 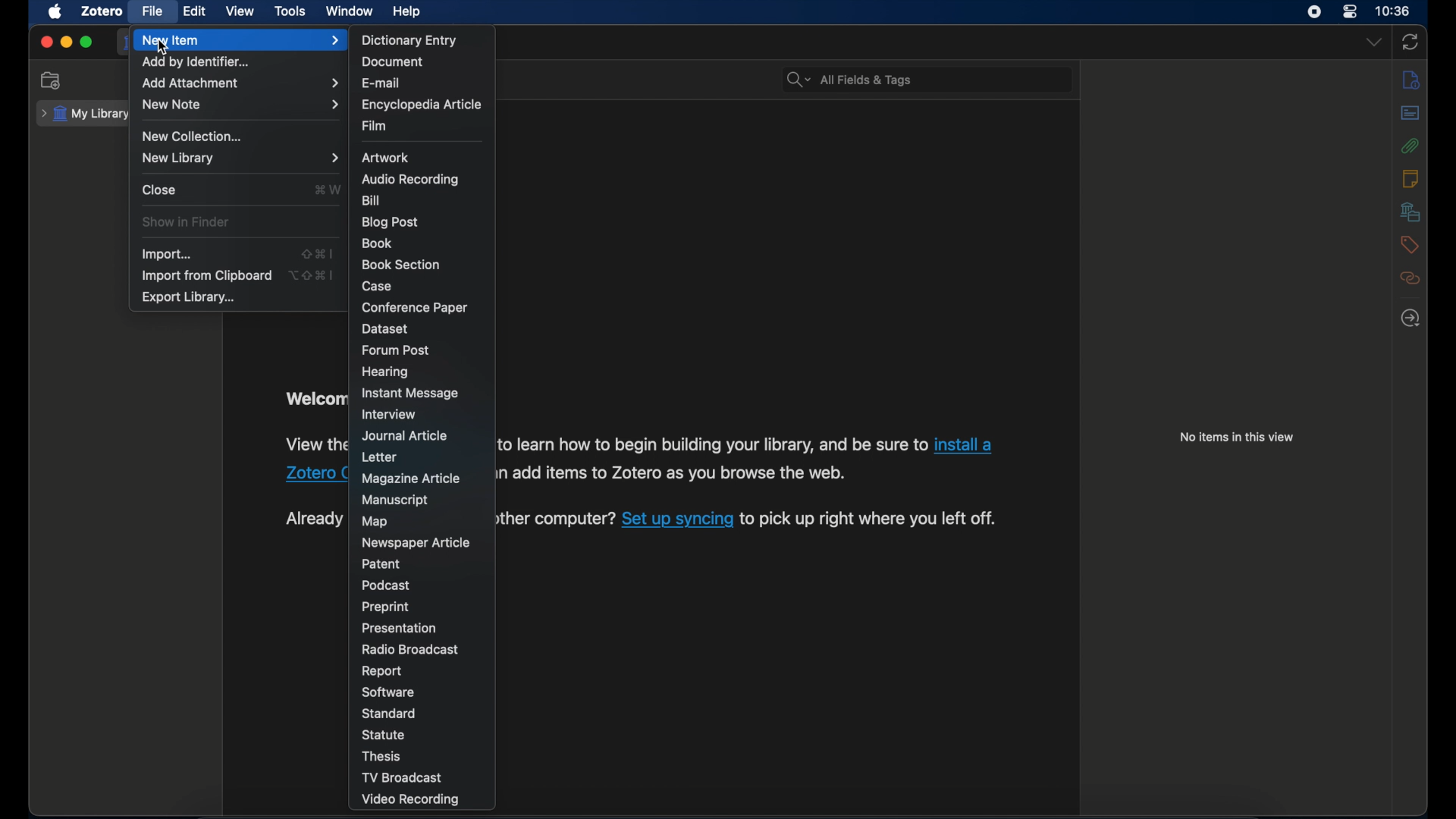 I want to click on view, so click(x=241, y=11).